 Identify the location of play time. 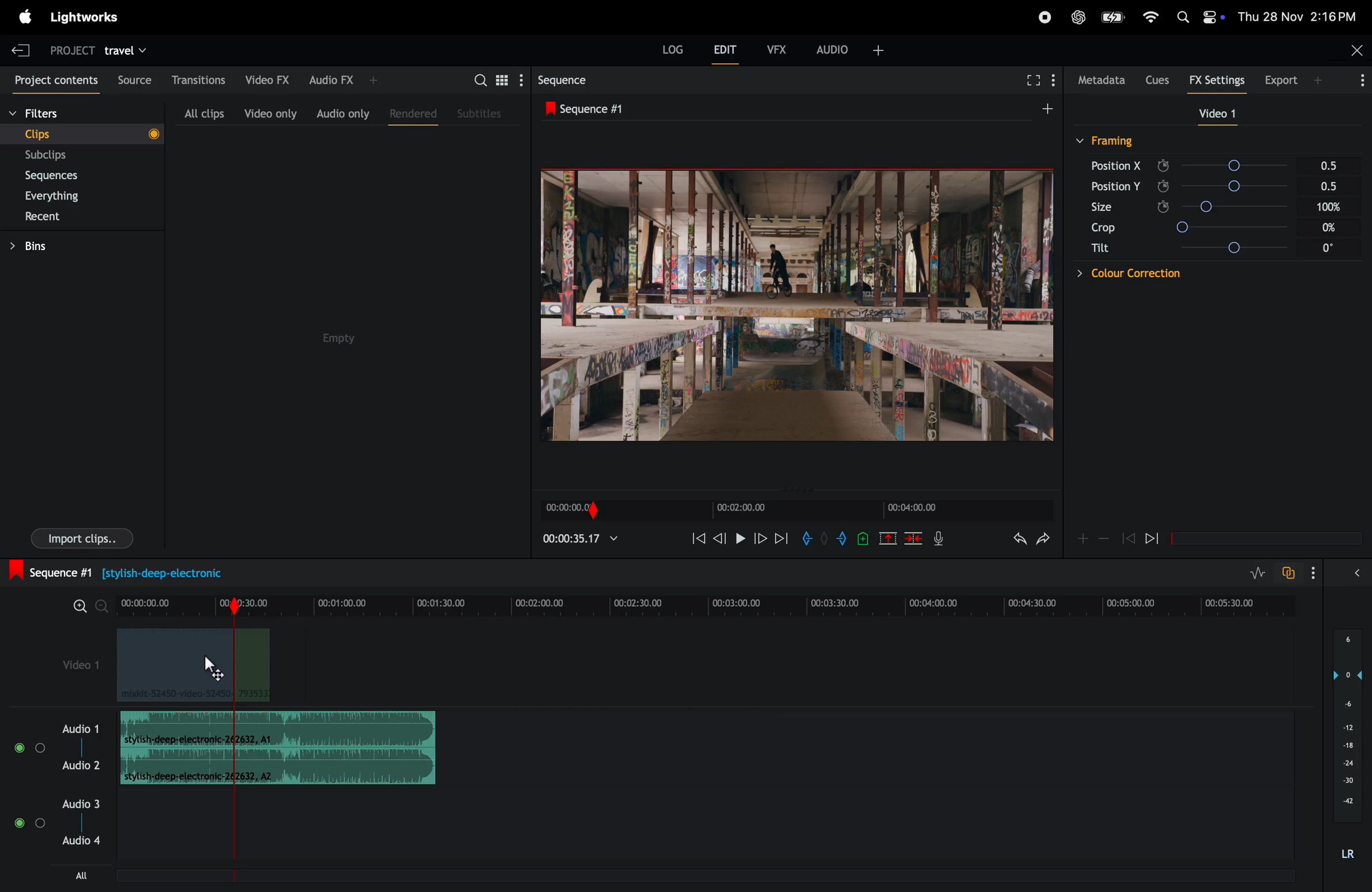
(581, 538).